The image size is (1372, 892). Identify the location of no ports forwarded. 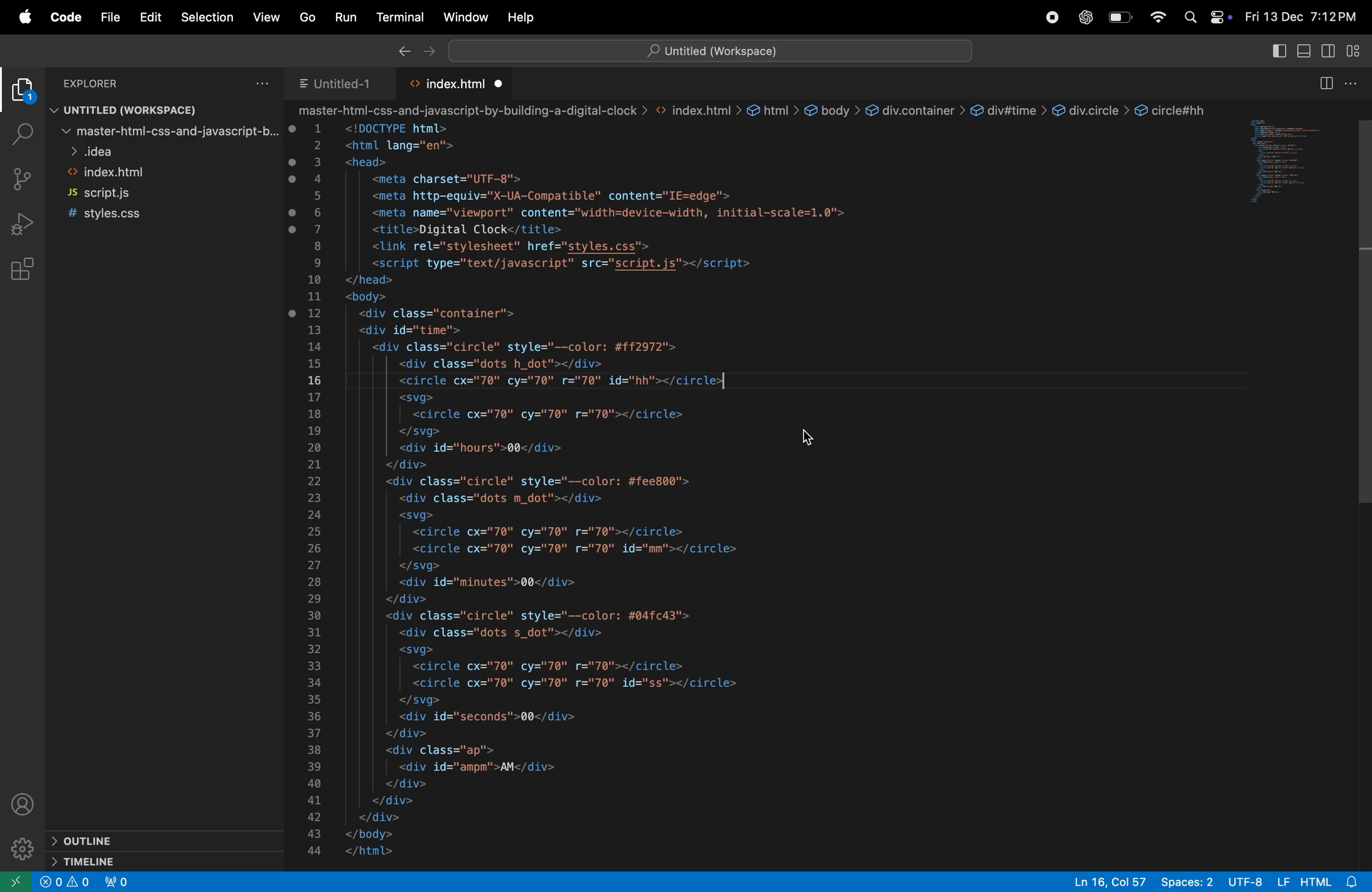
(119, 882).